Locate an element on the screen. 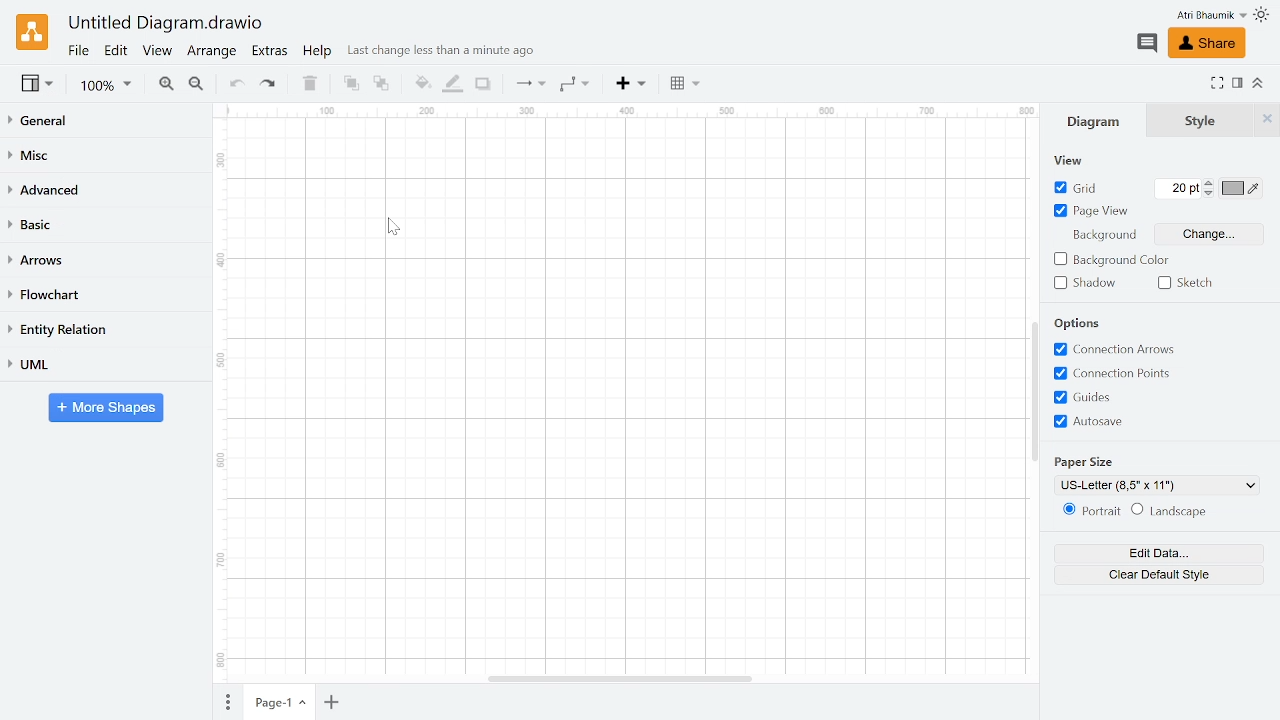 This screenshot has height=720, width=1280. Sketch is located at coordinates (1183, 282).